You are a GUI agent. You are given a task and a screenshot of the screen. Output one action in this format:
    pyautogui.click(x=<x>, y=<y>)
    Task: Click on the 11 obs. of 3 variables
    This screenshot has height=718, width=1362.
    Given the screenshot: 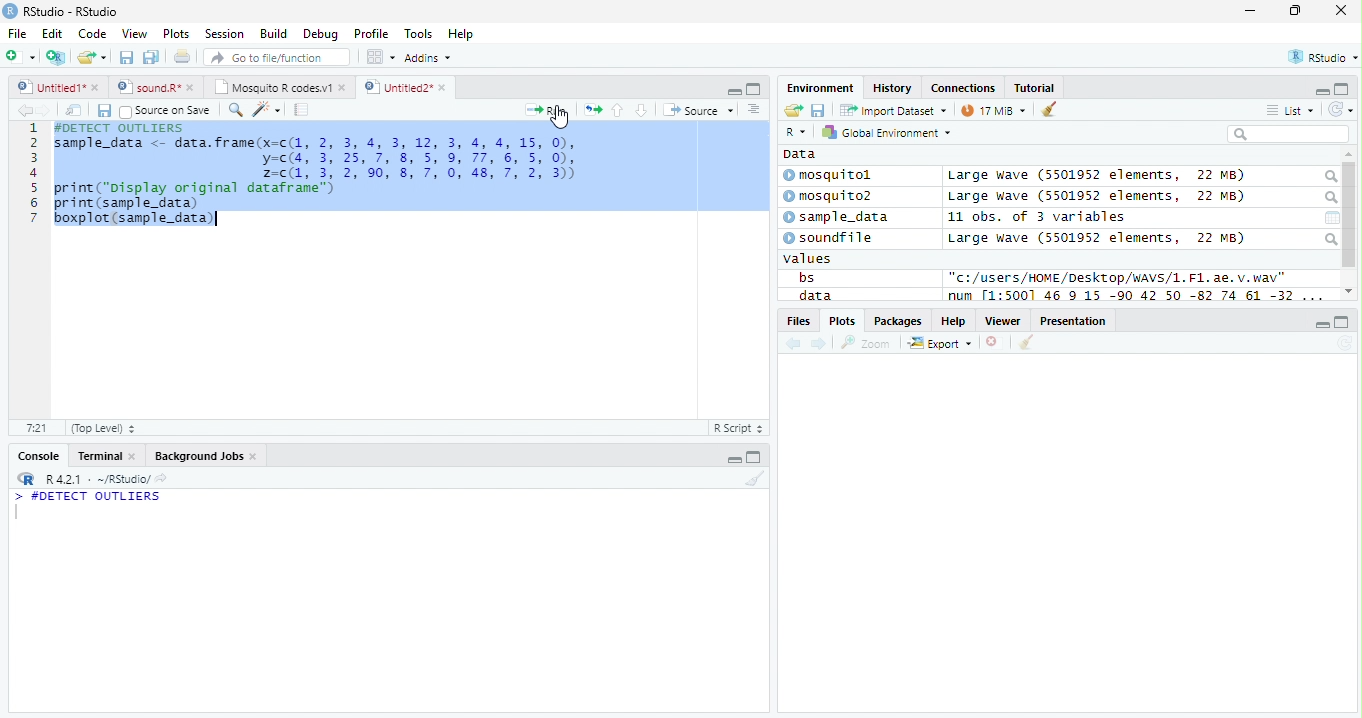 What is the action you would take?
    pyautogui.click(x=1037, y=217)
    